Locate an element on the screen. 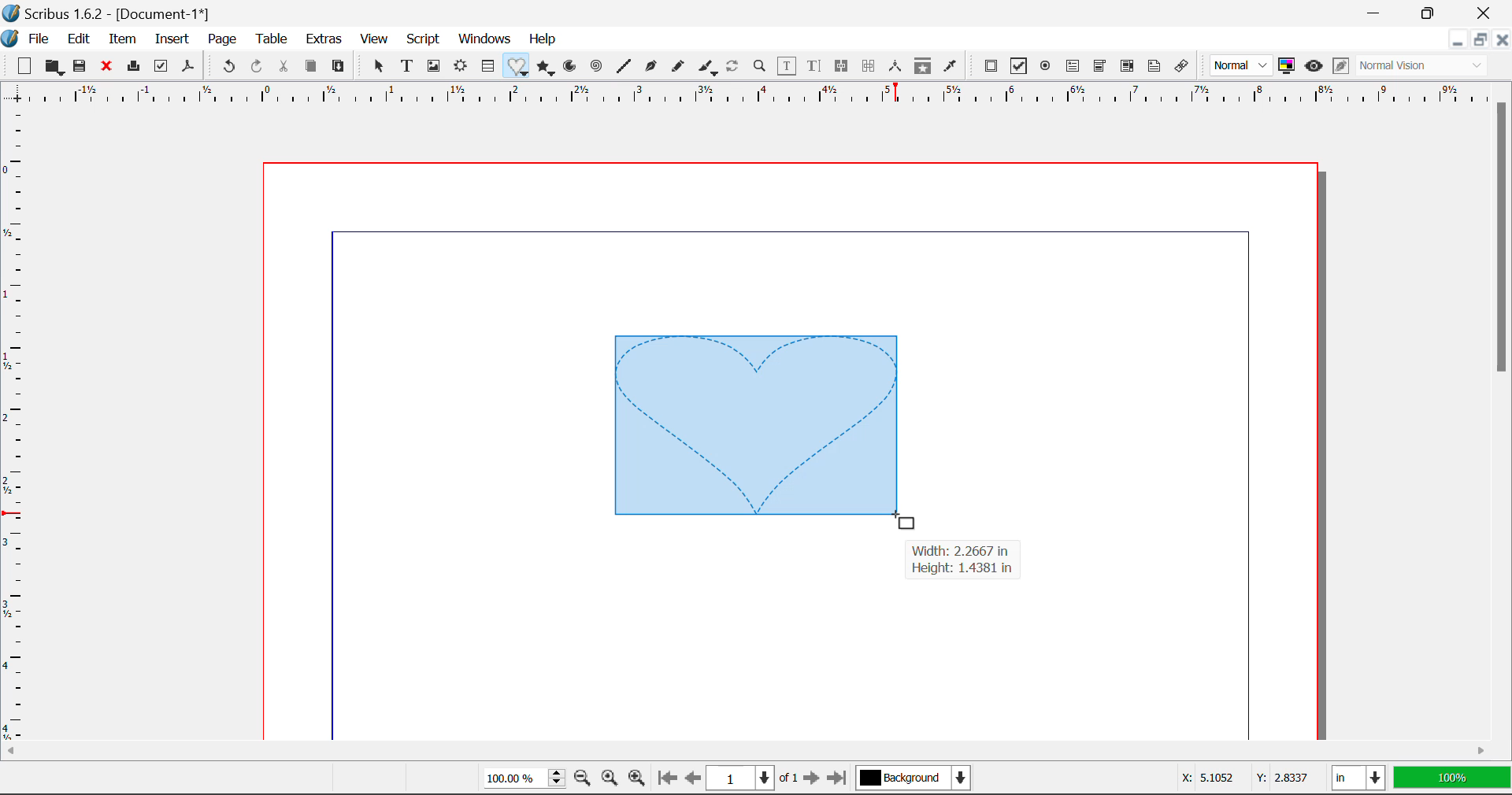 Image resolution: width=1512 pixels, height=795 pixels. Page is located at coordinates (224, 39).